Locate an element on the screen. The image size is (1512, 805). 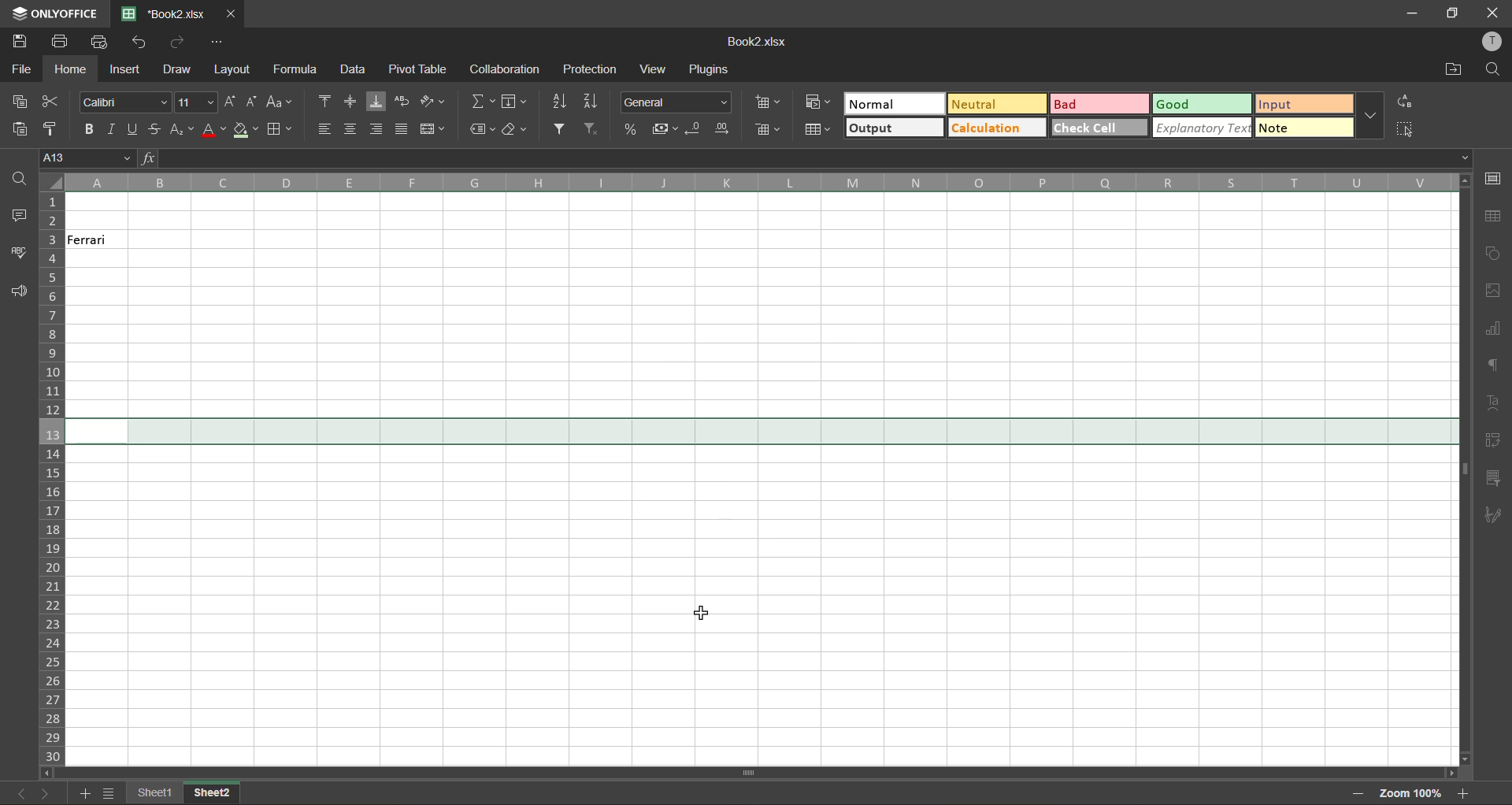
clear is located at coordinates (520, 131).